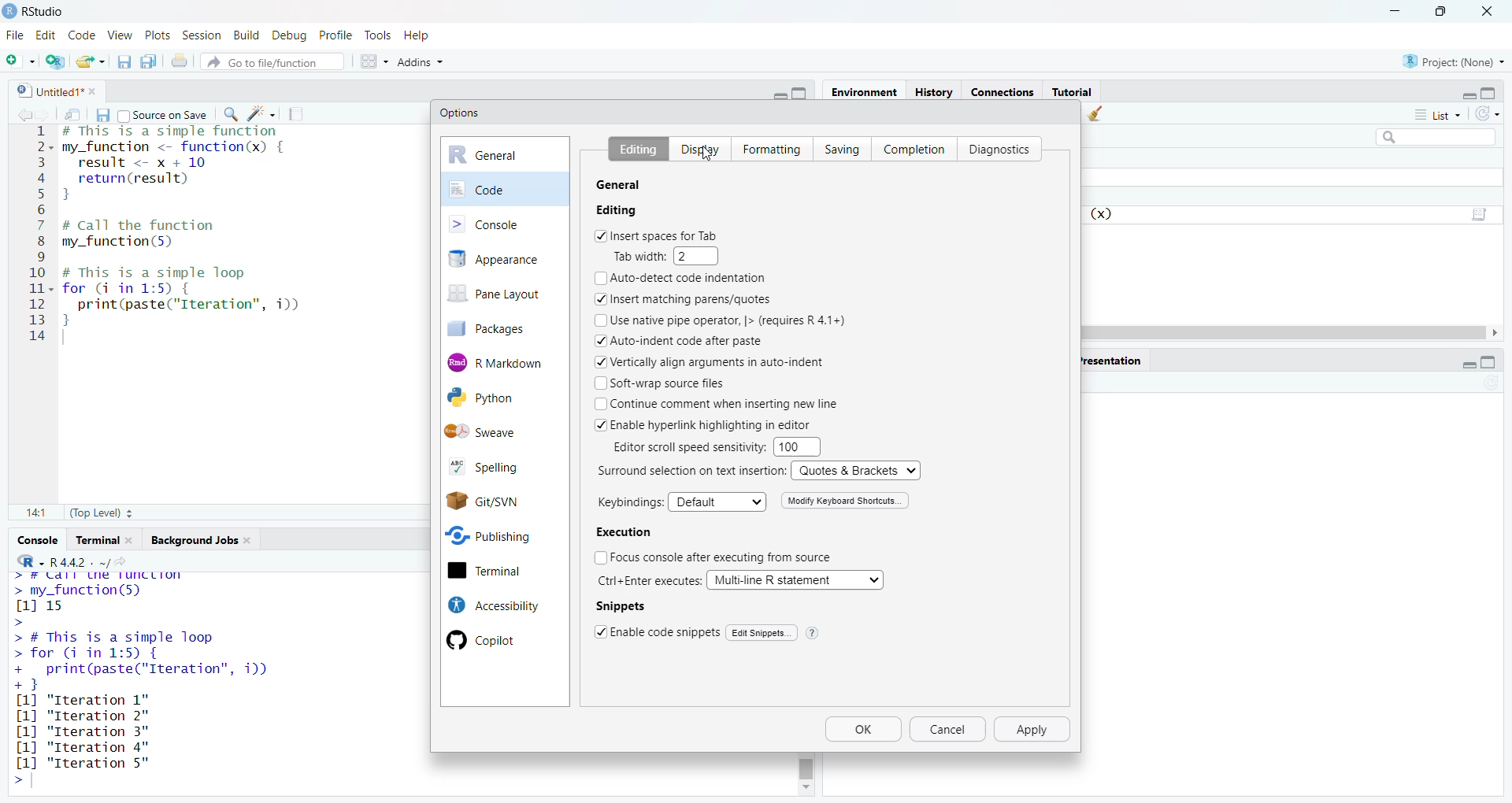 The height and width of the screenshot is (803, 1512). What do you see at coordinates (96, 540) in the screenshot?
I see `terminal` at bounding box center [96, 540].